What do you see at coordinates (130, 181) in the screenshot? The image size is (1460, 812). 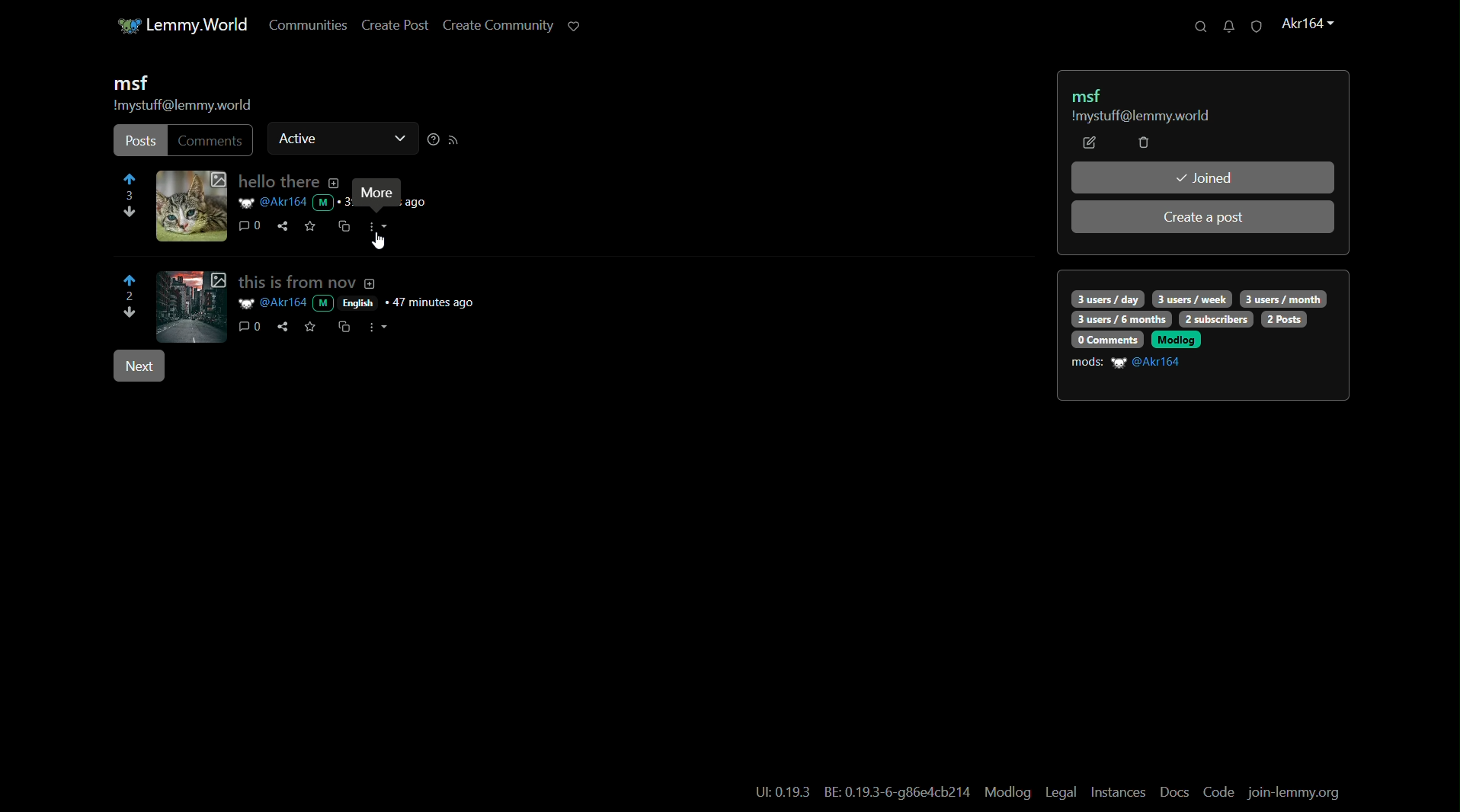 I see `upvote` at bounding box center [130, 181].